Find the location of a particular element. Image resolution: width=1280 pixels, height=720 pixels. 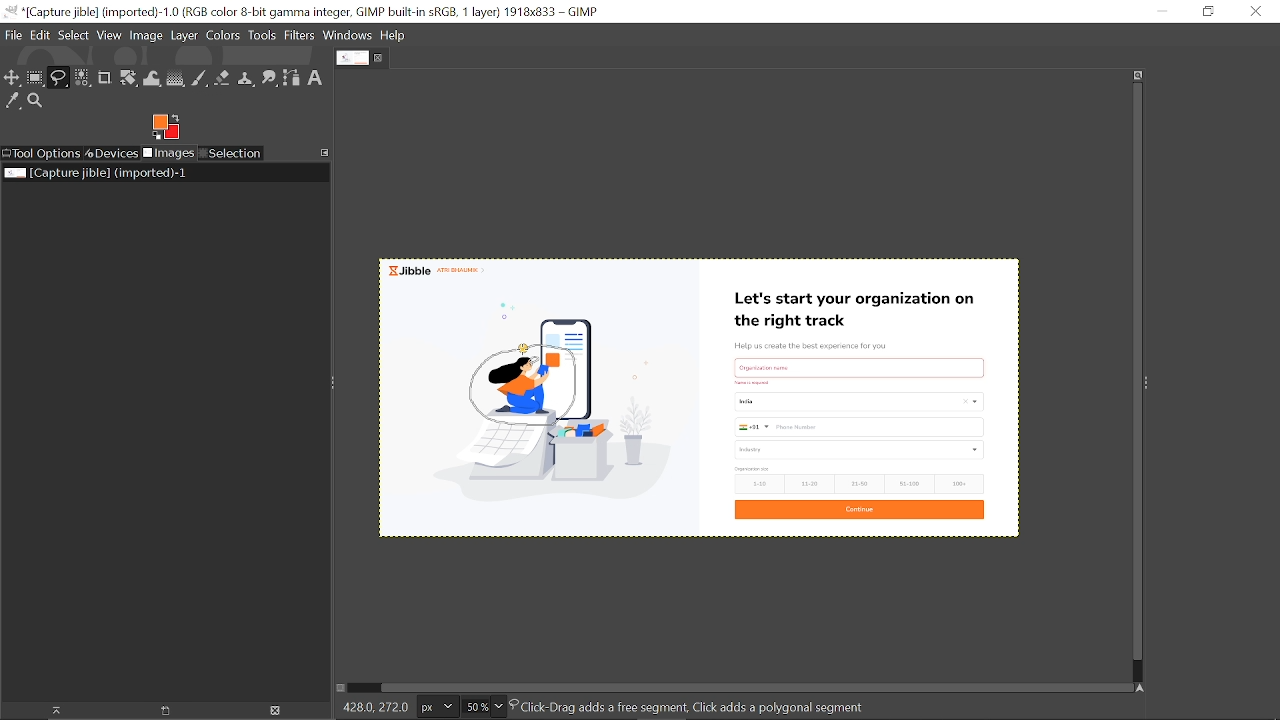

Minimize is located at coordinates (1159, 11).